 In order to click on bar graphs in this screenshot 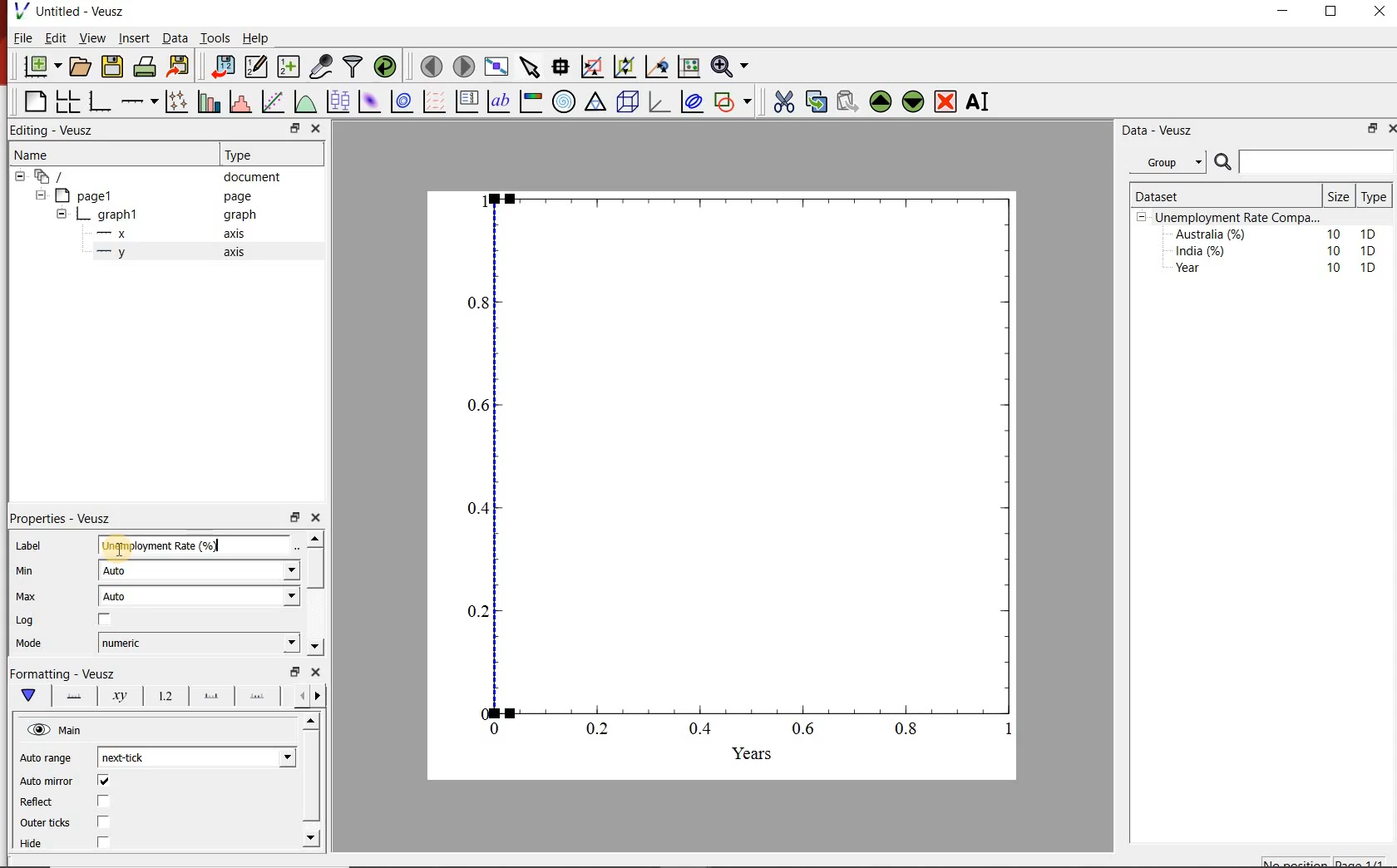, I will do `click(207, 101)`.